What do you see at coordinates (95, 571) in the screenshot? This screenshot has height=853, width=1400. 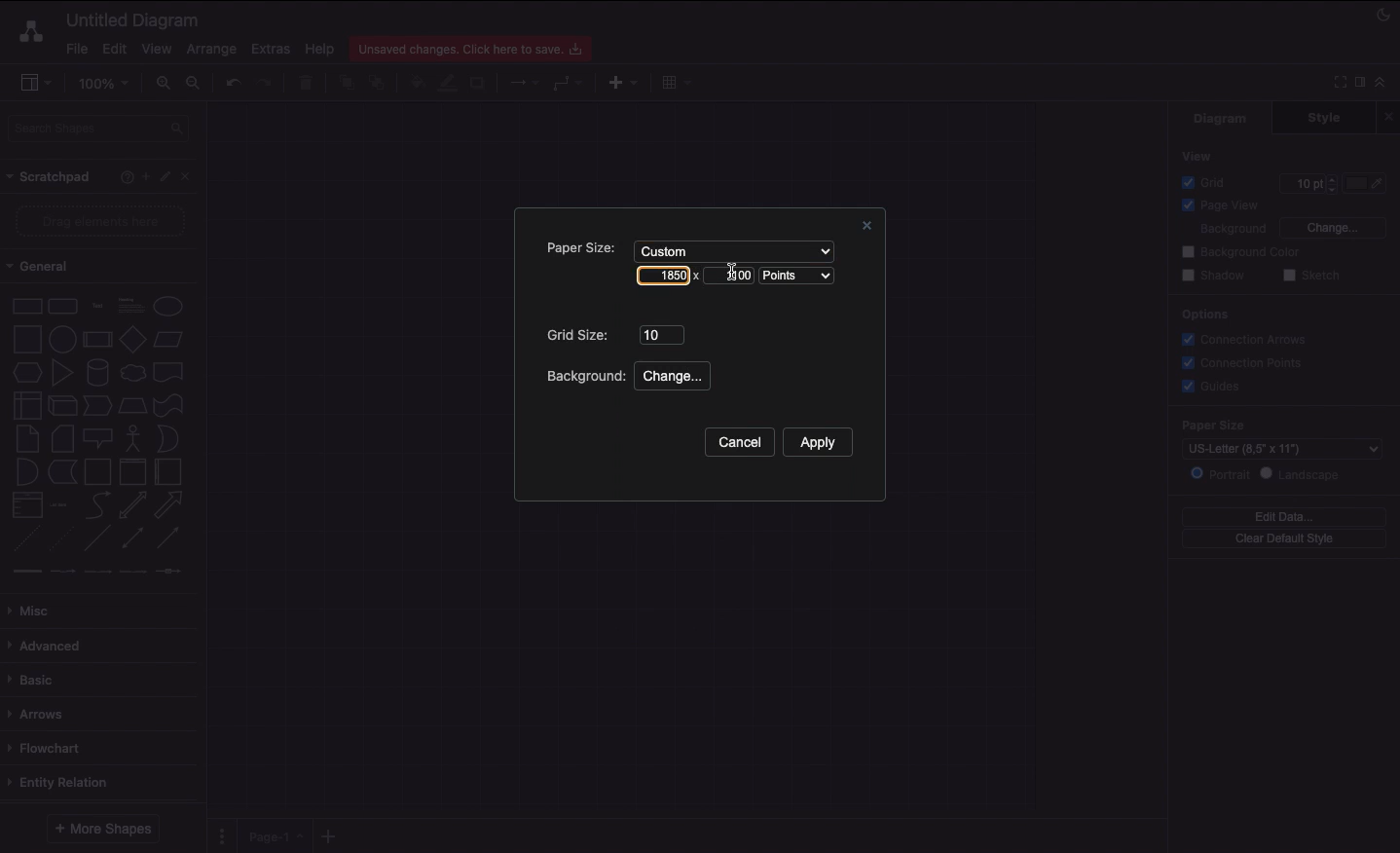 I see `connector 3` at bounding box center [95, 571].